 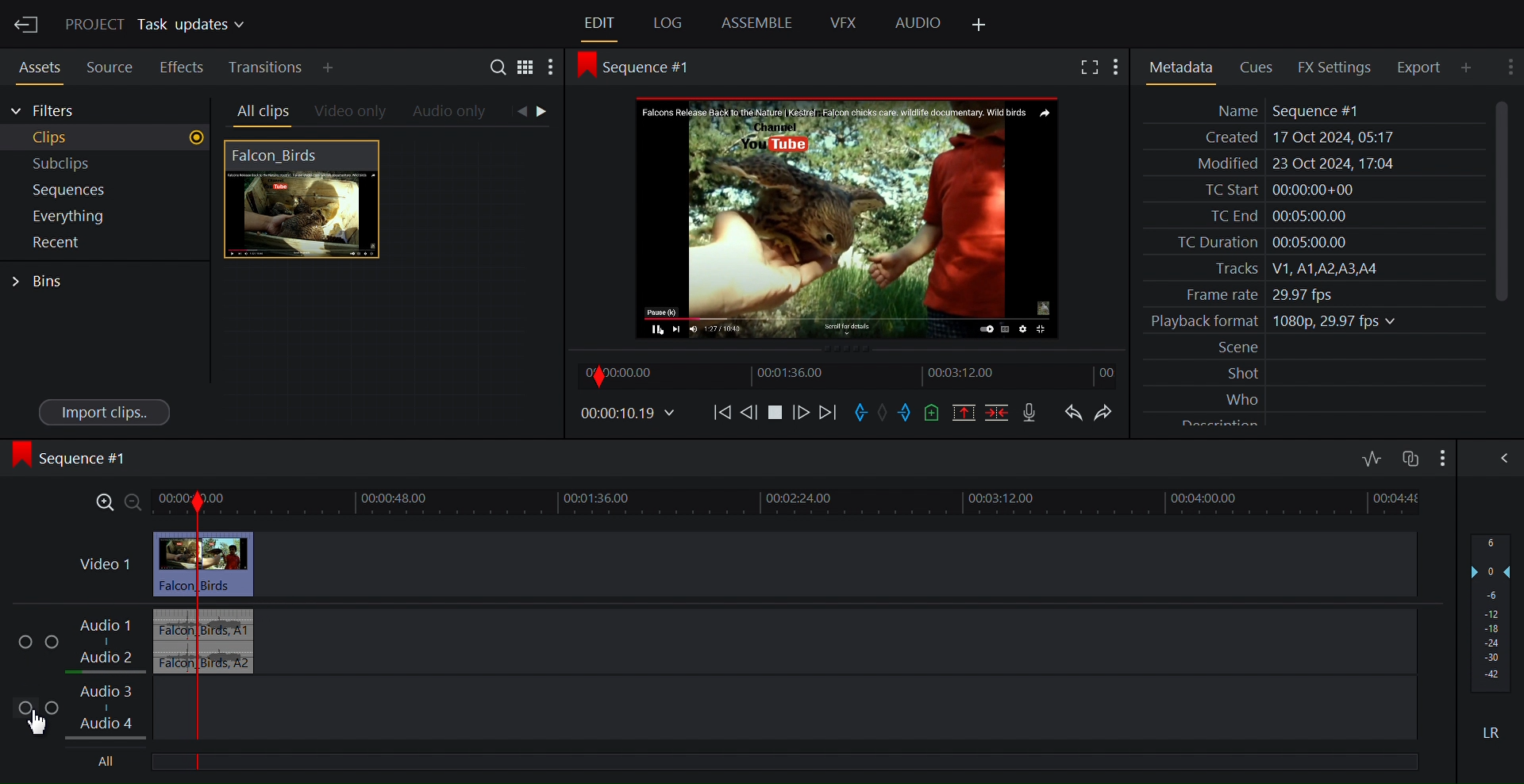 What do you see at coordinates (1372, 456) in the screenshot?
I see `Toggle audio levels editing` at bounding box center [1372, 456].